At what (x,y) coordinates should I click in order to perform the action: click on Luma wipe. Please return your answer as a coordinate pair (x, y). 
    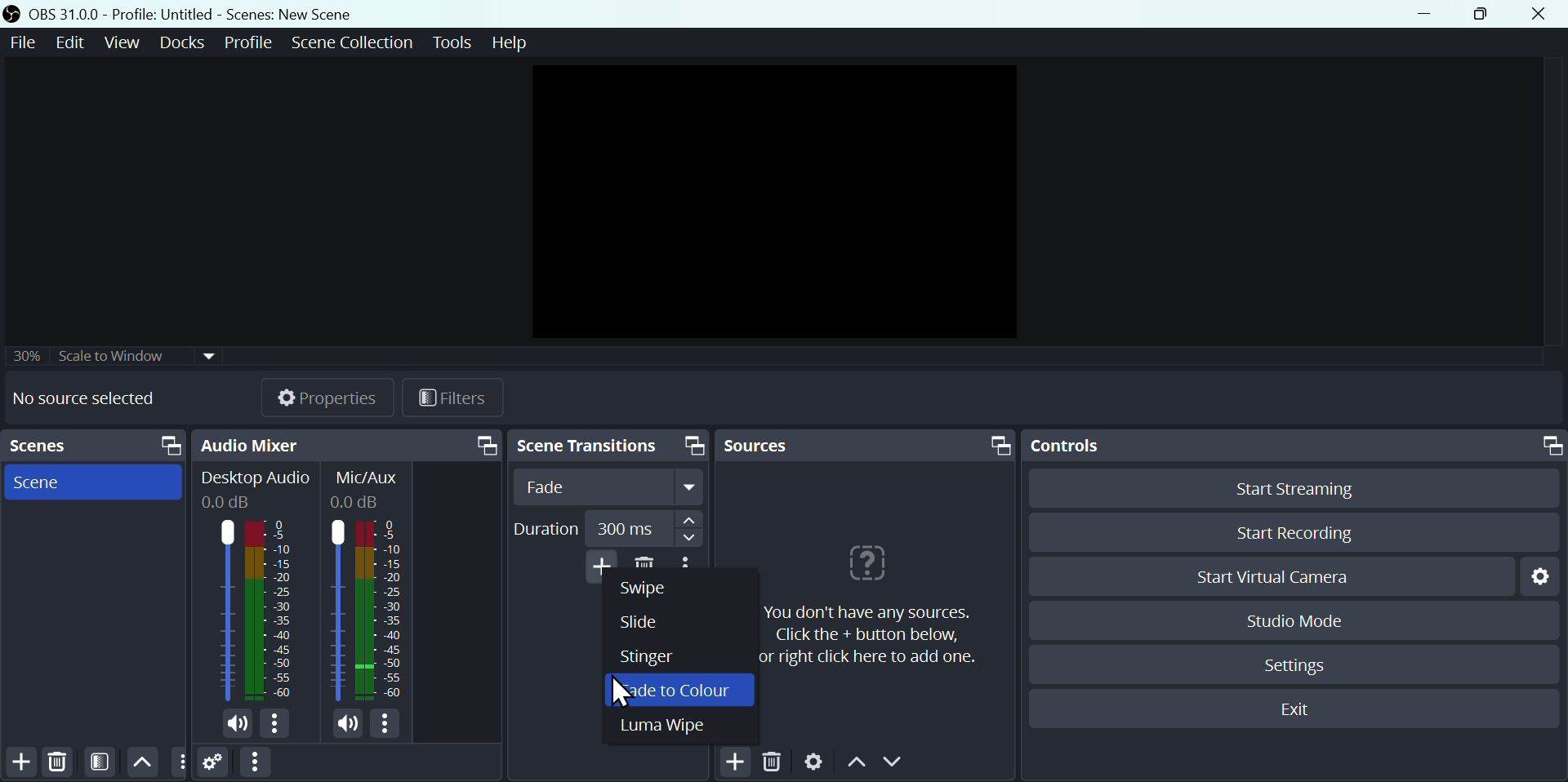
    Looking at the image, I should click on (675, 731).